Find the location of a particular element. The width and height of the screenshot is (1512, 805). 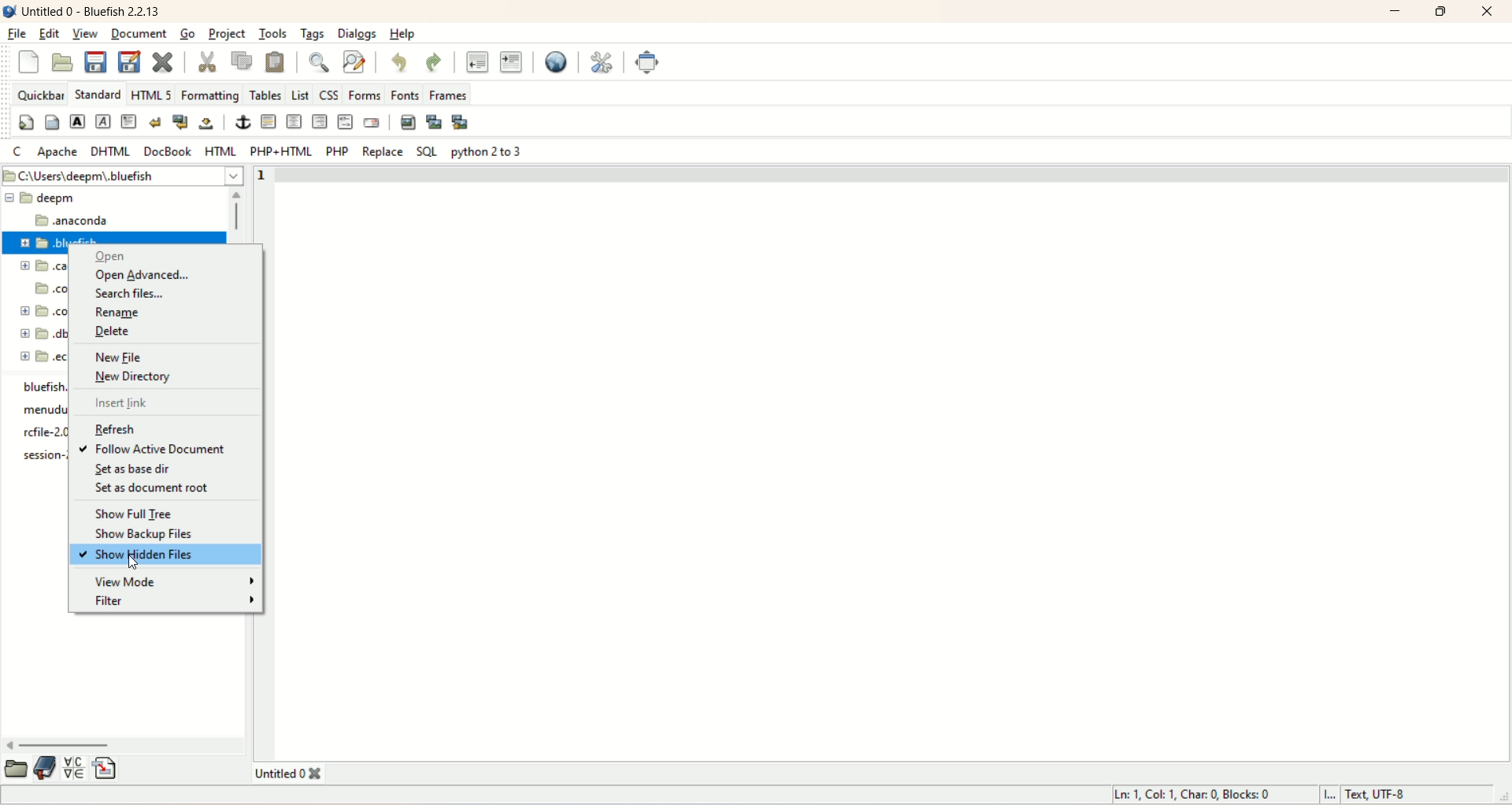

fullscreen is located at coordinates (647, 61).